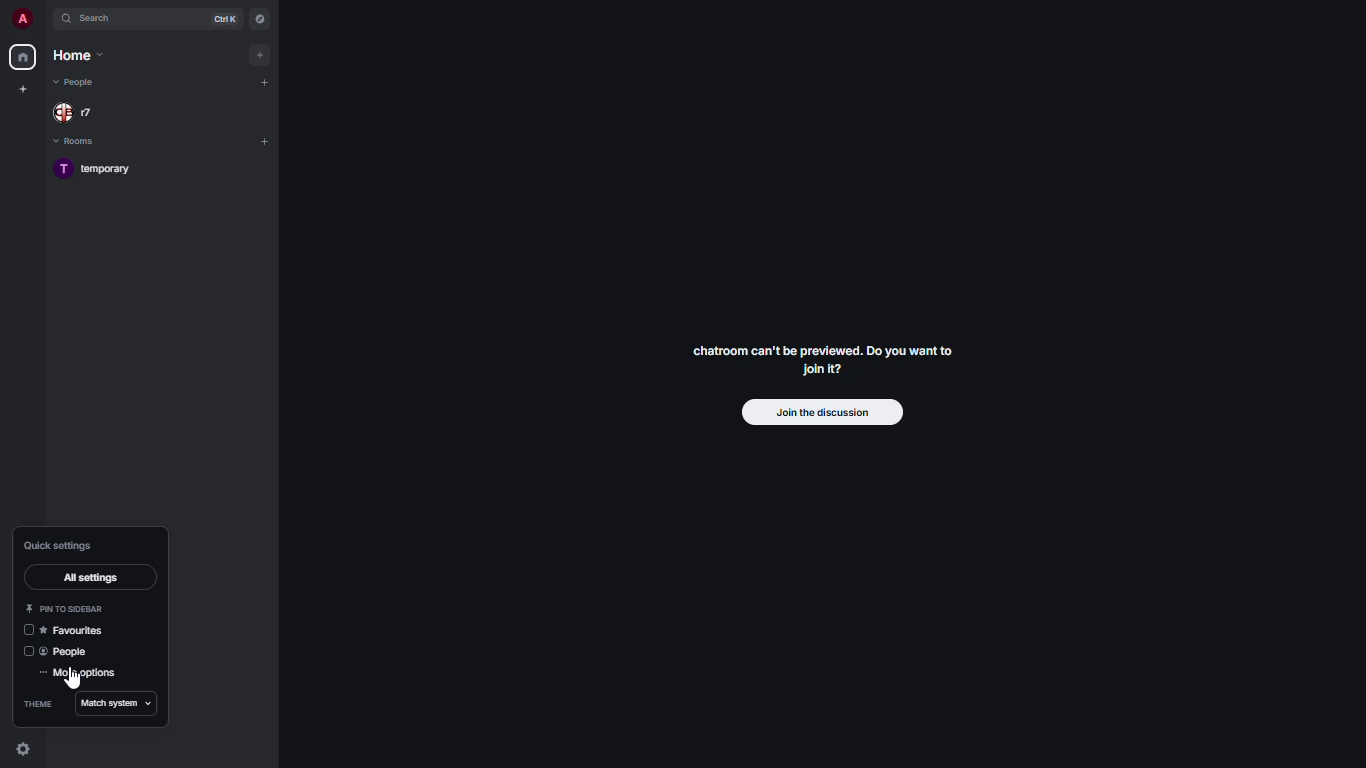  What do you see at coordinates (22, 19) in the screenshot?
I see `profile` at bounding box center [22, 19].